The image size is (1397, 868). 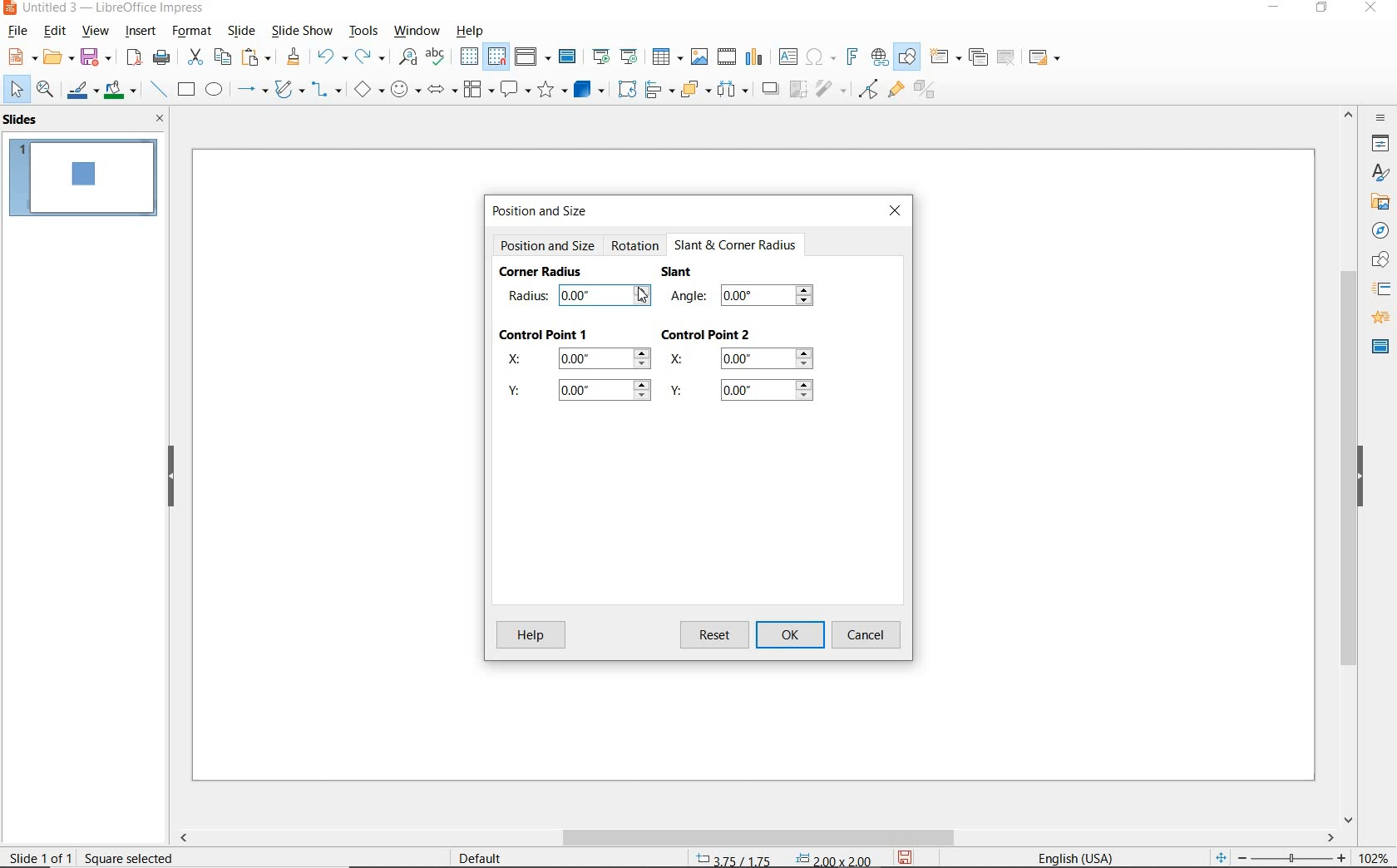 I want to click on ANGLE, so click(x=746, y=298).